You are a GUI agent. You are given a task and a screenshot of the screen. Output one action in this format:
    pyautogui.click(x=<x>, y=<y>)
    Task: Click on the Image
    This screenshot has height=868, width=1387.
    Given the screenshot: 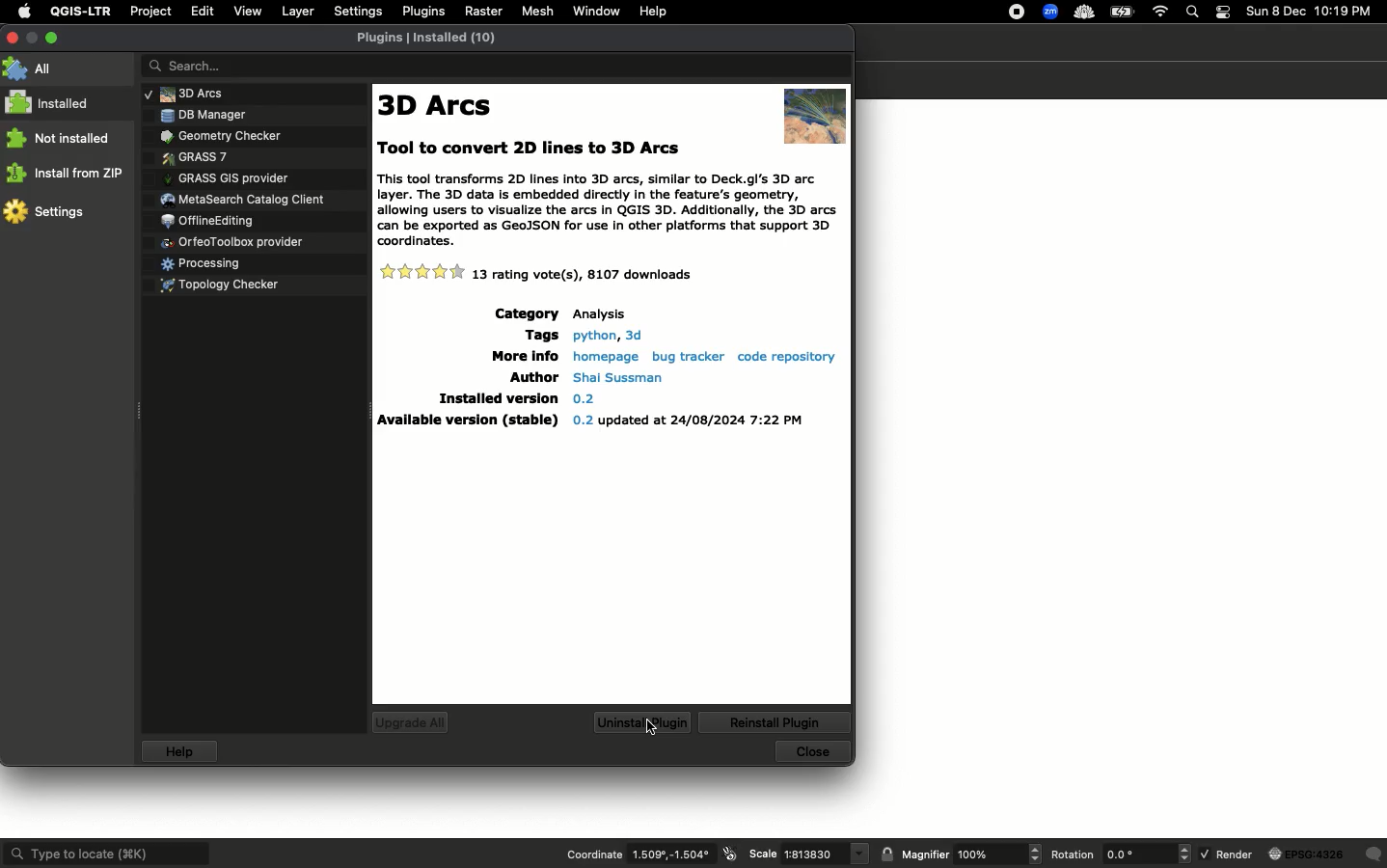 What is the action you would take?
    pyautogui.click(x=816, y=110)
    